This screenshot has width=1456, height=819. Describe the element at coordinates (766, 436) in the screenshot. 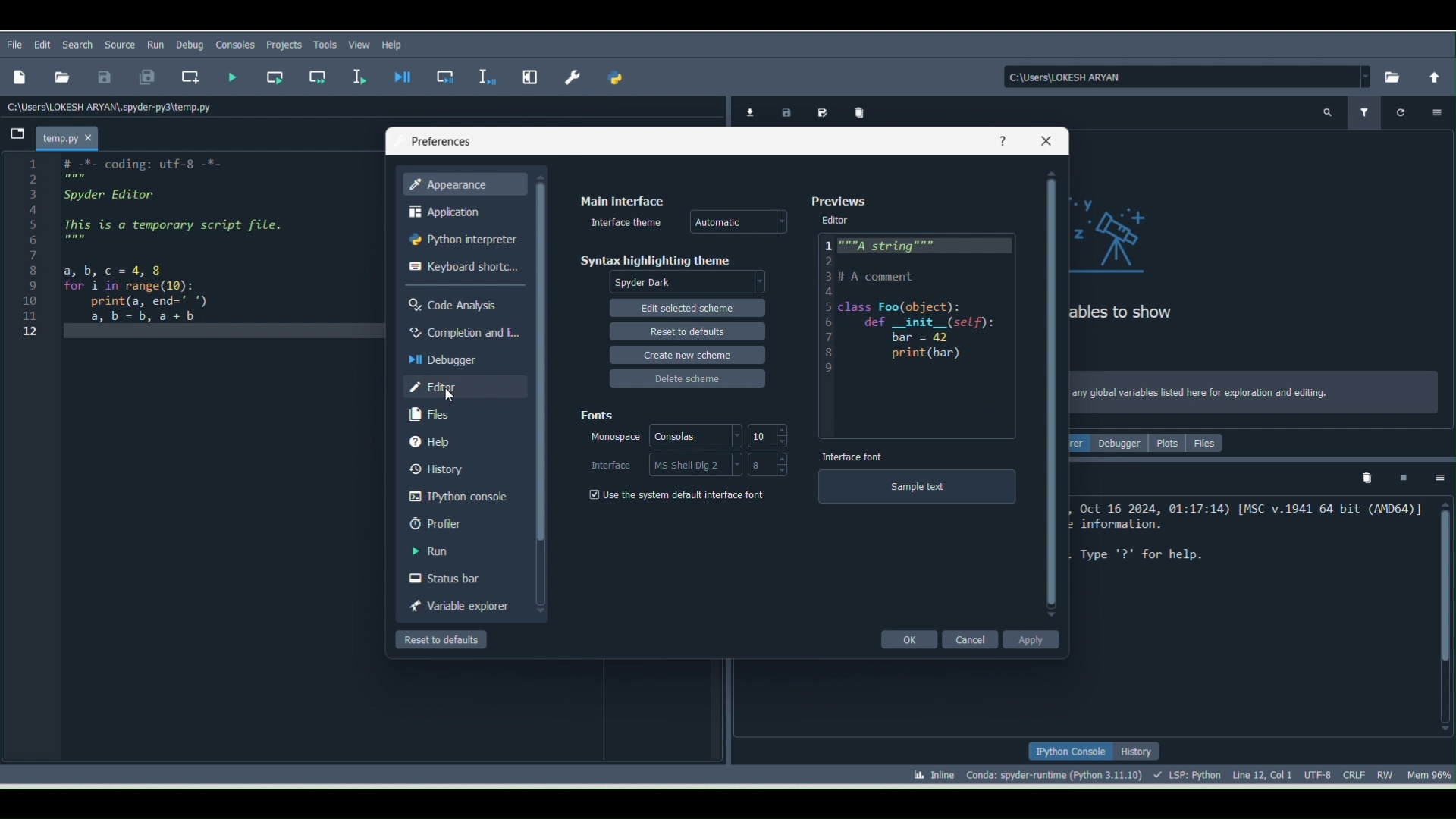

I see `Fontsize` at that location.